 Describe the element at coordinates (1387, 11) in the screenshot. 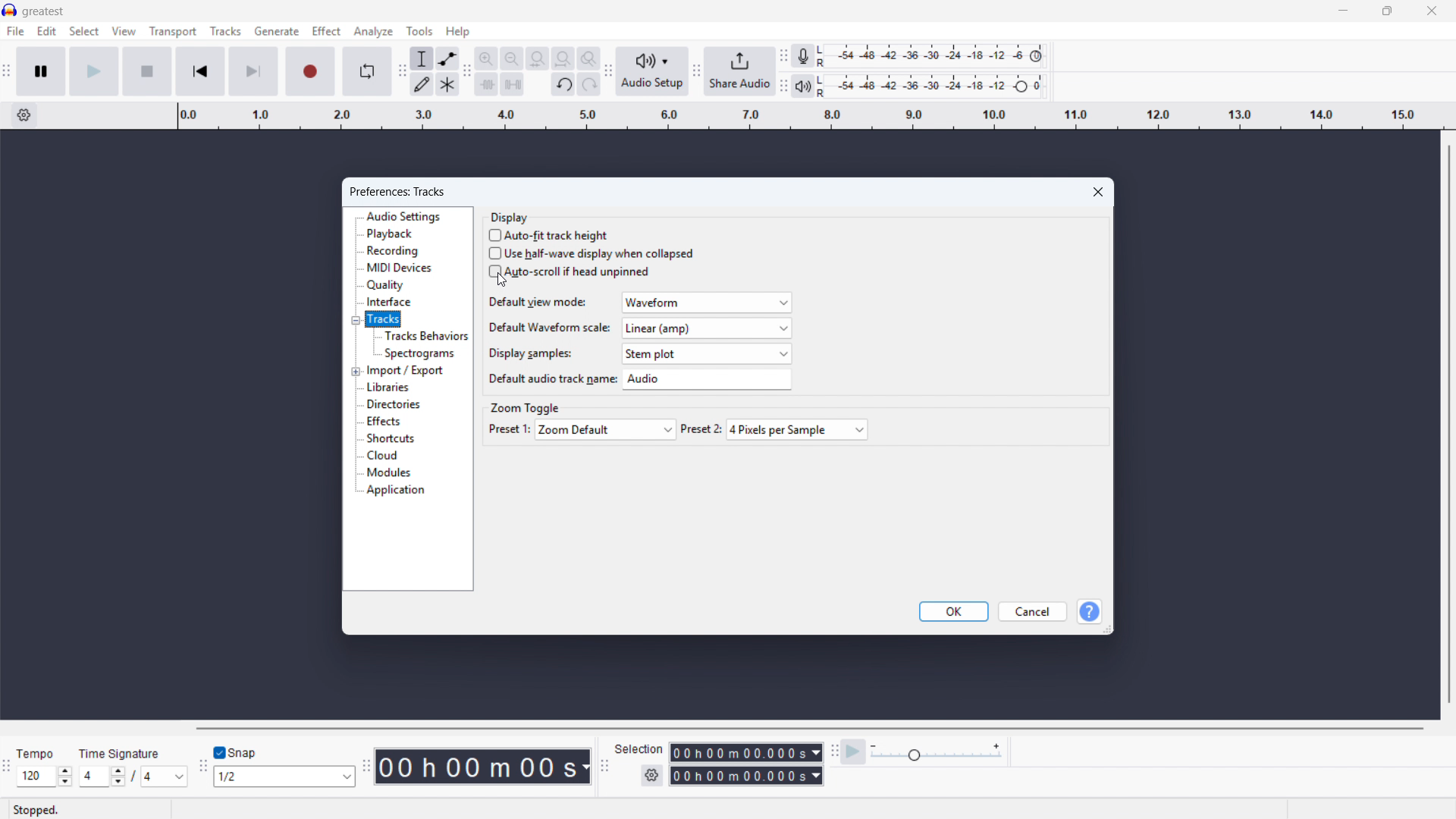

I see `Maximise ` at that location.